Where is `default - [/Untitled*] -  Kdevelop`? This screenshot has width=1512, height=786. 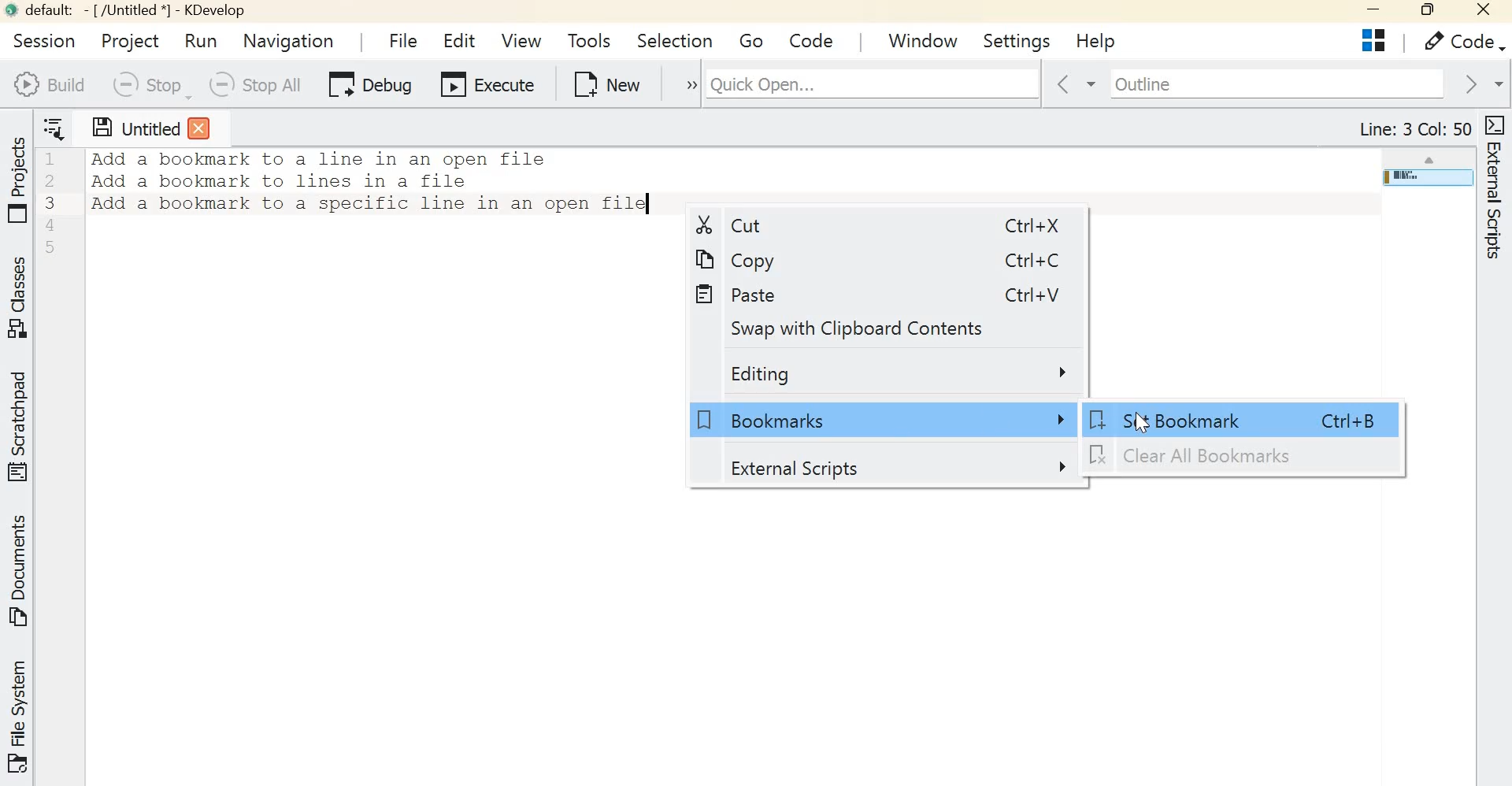 default - [/Untitled*] -  Kdevelop is located at coordinates (124, 11).